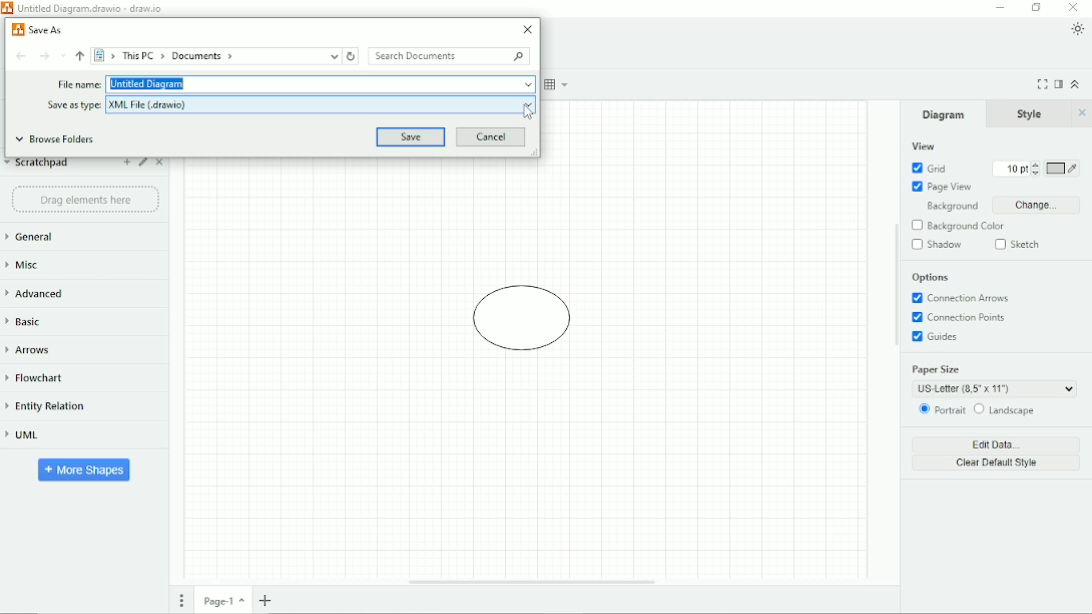 This screenshot has width=1092, height=614. Describe the element at coordinates (27, 265) in the screenshot. I see `Misc` at that location.